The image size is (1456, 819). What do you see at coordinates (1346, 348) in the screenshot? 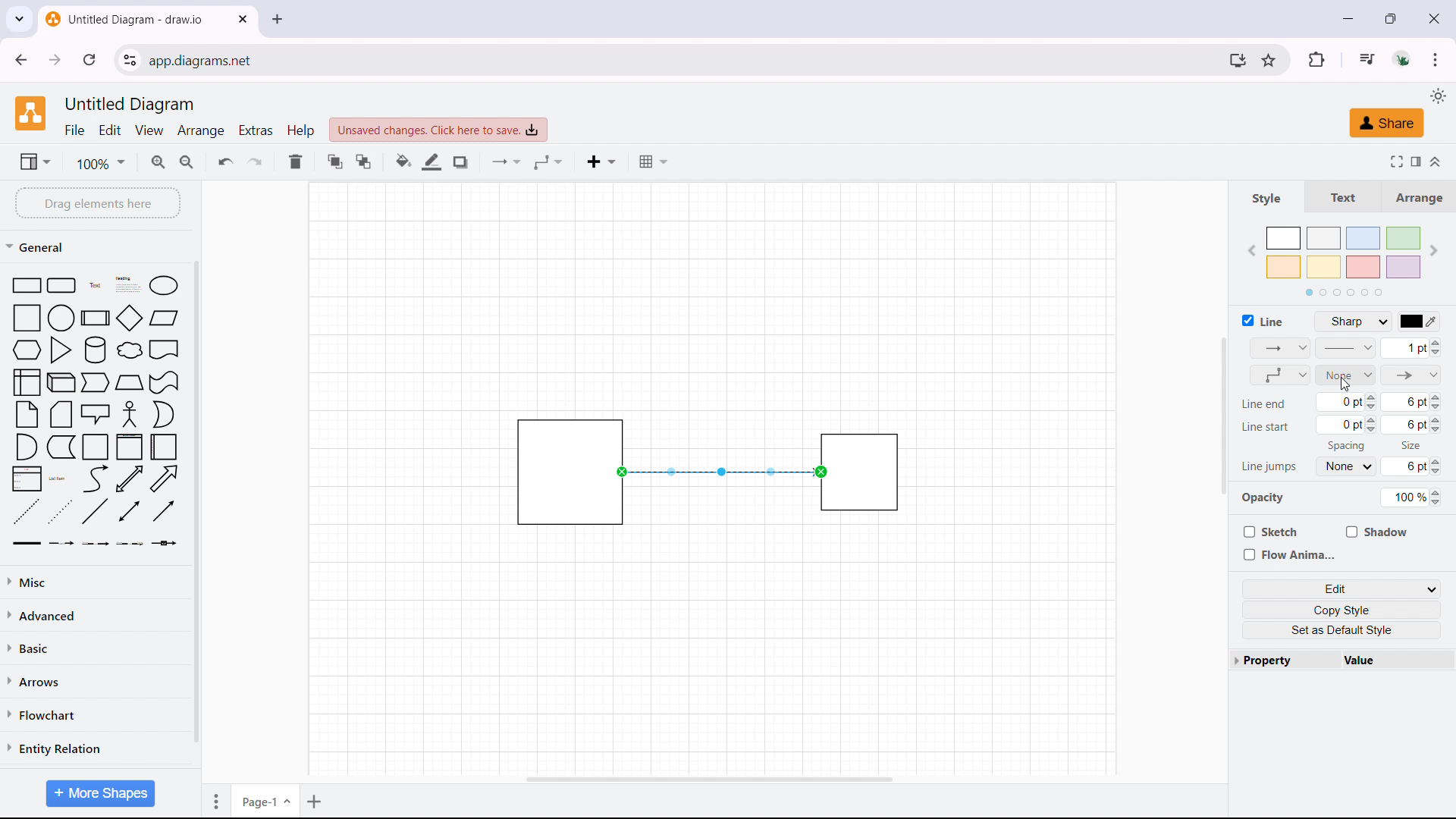
I see `patterns` at bounding box center [1346, 348].